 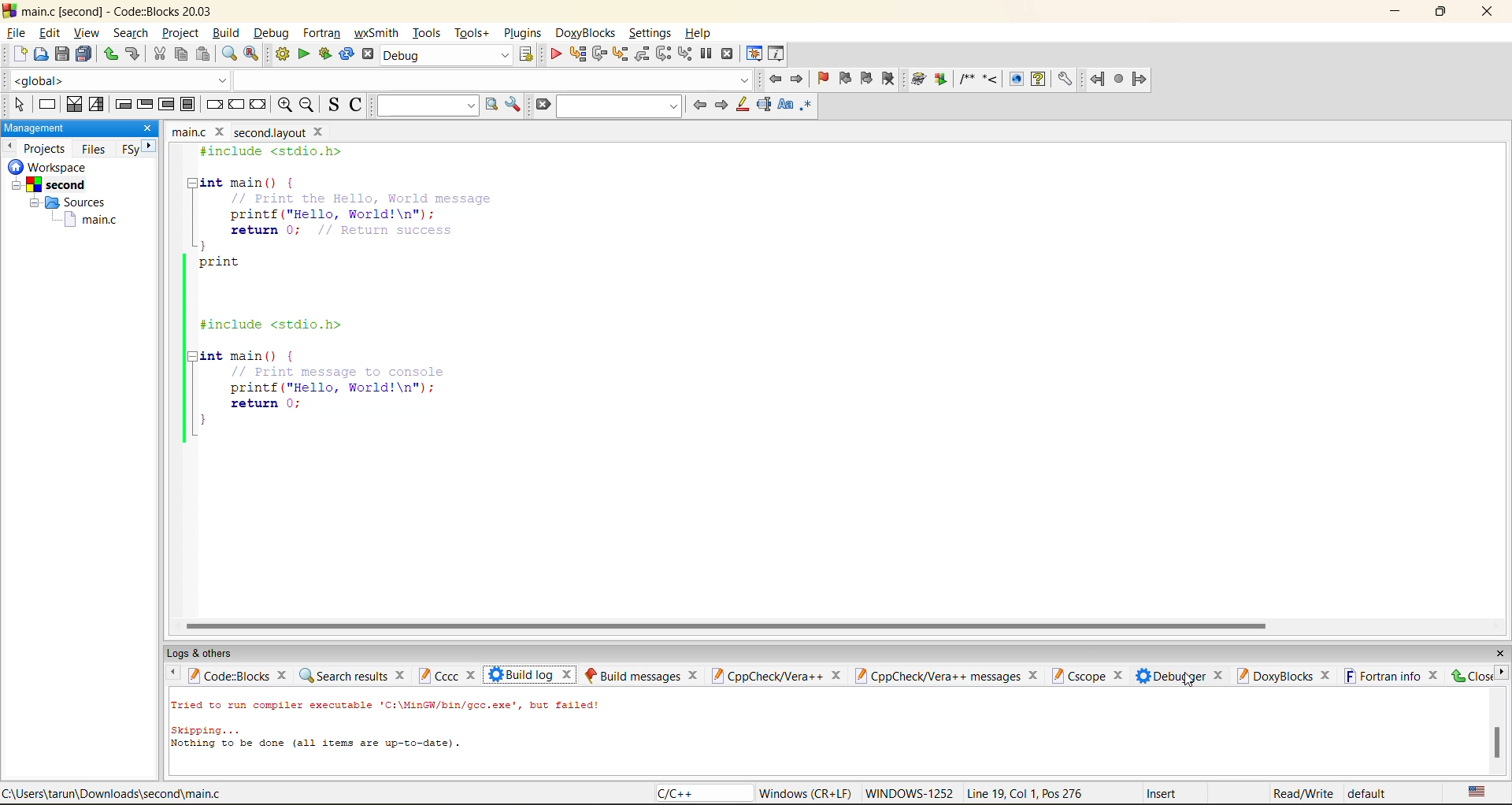 What do you see at coordinates (305, 55) in the screenshot?
I see `run` at bounding box center [305, 55].